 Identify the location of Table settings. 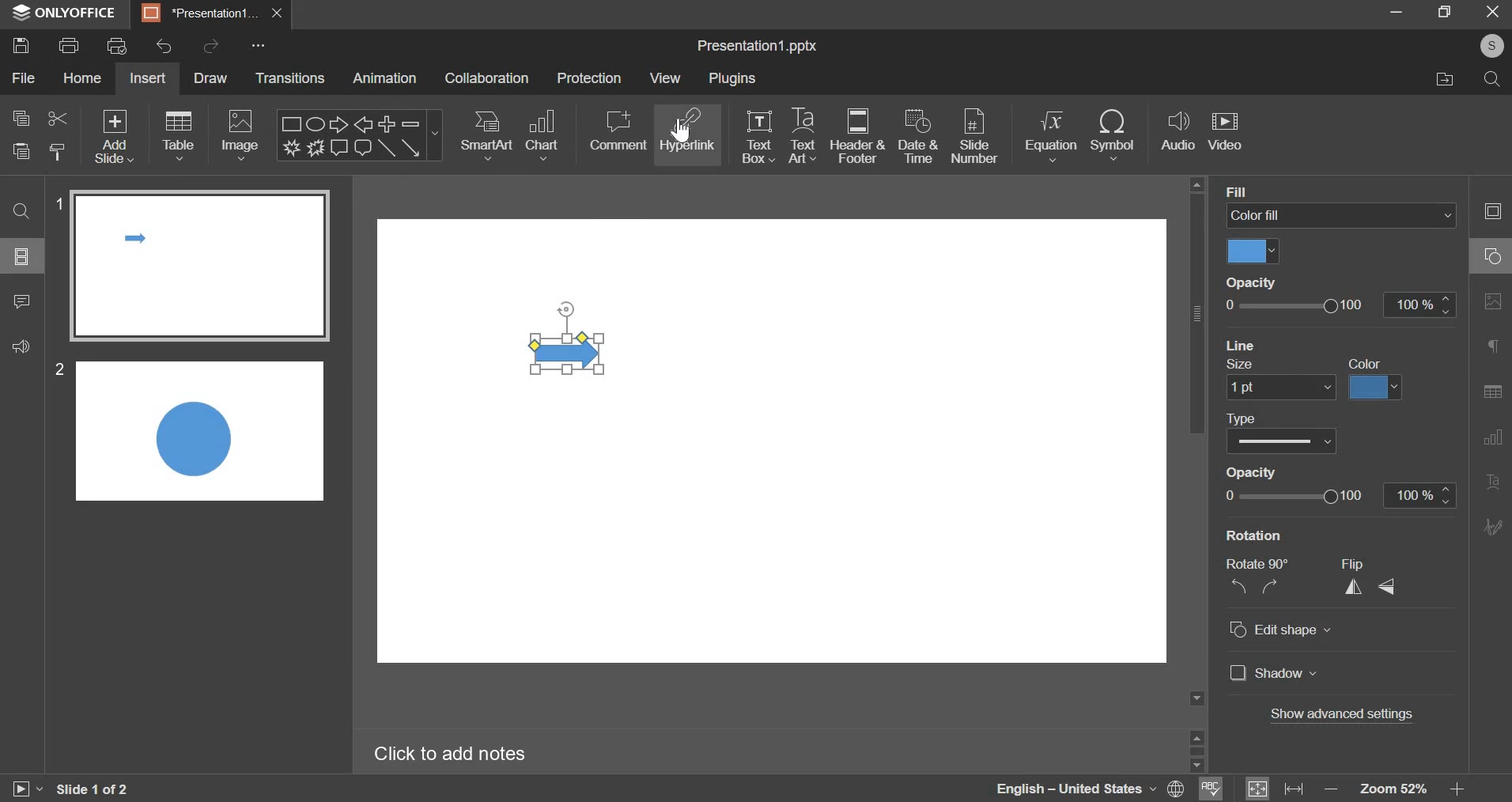
(1496, 392).